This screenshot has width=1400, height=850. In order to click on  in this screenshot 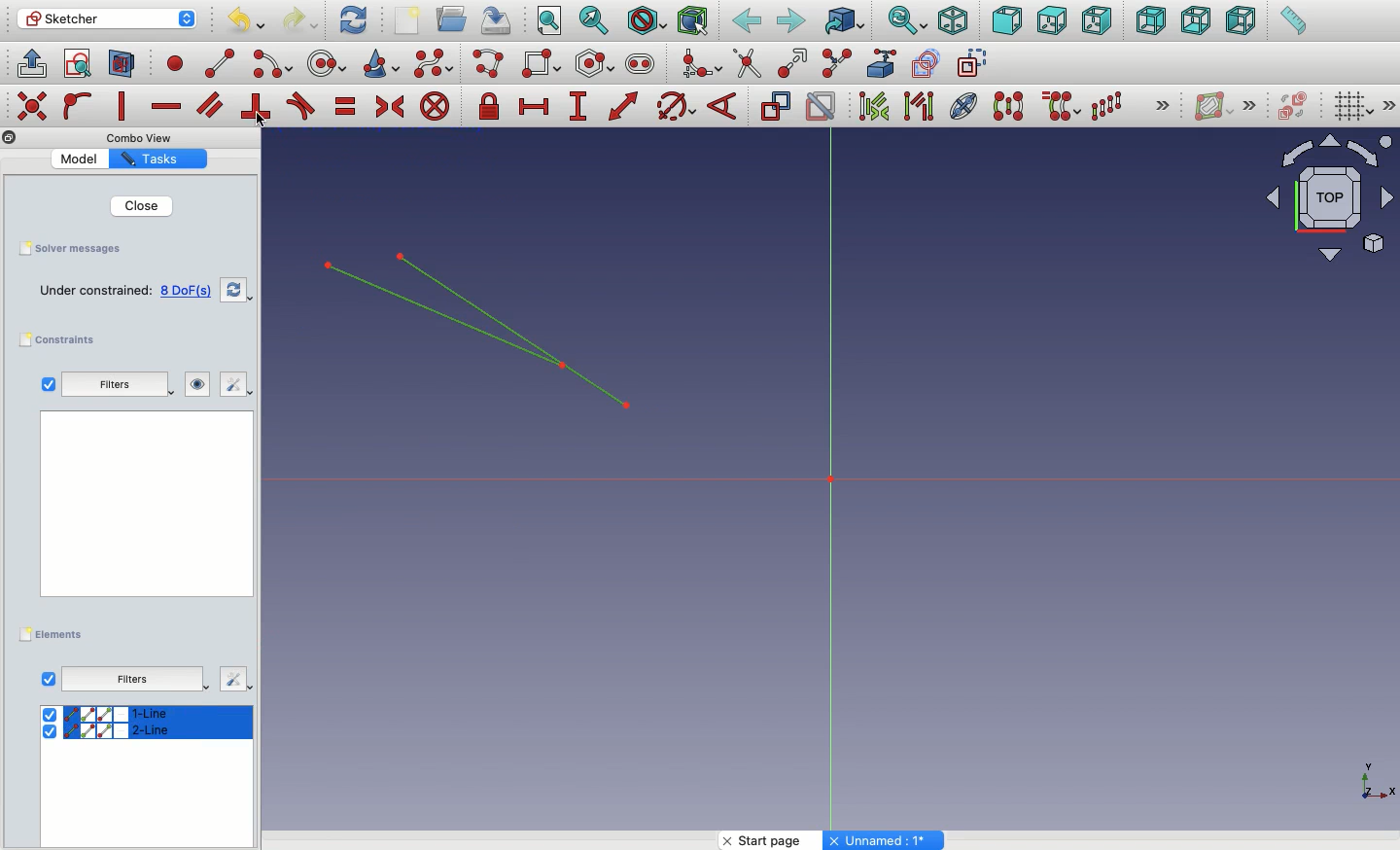, I will do `click(1320, 206)`.